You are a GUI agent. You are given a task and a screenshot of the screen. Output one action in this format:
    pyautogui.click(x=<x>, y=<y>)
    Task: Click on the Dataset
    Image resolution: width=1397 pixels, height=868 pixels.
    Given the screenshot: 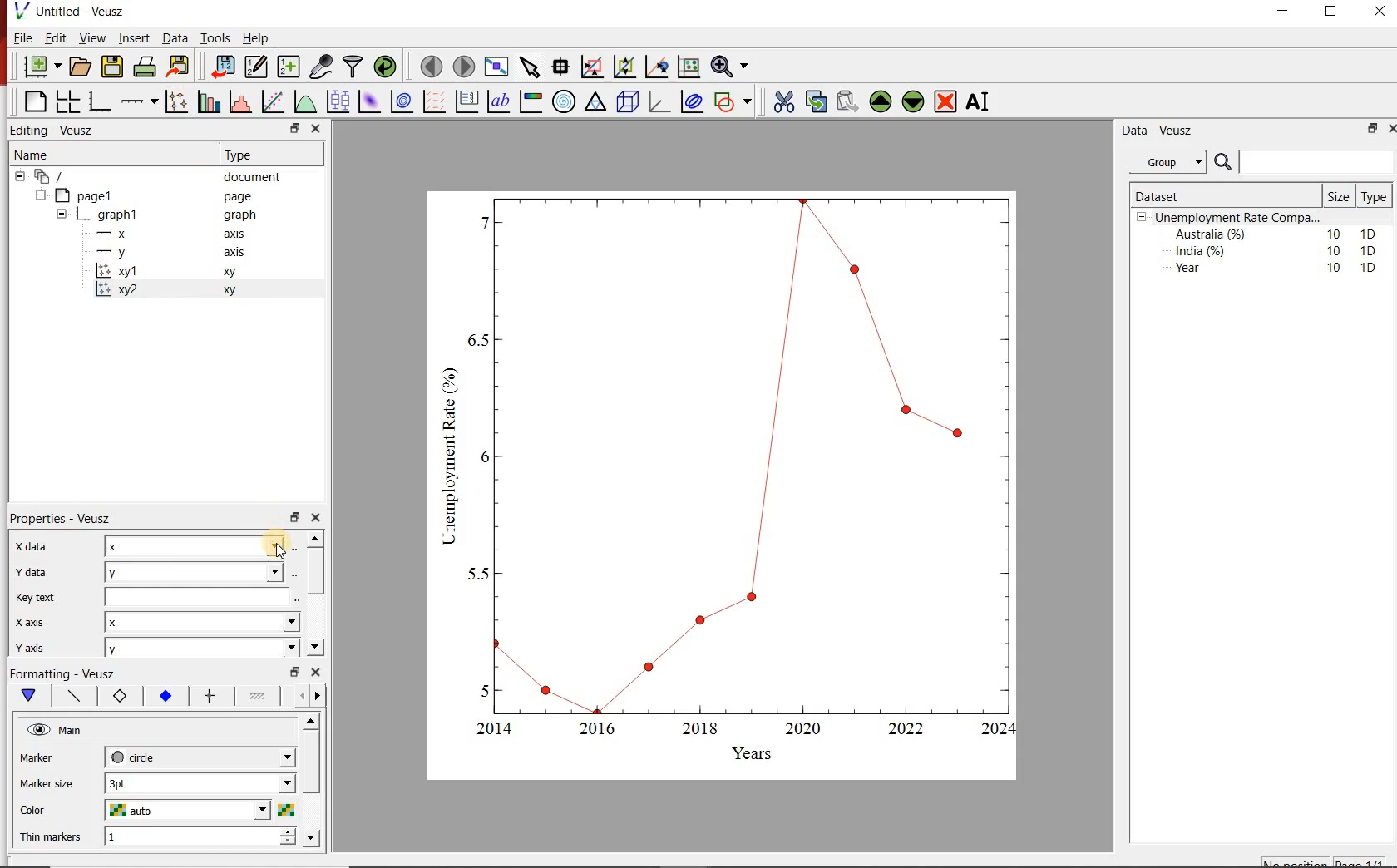 What is the action you would take?
    pyautogui.click(x=1196, y=196)
    